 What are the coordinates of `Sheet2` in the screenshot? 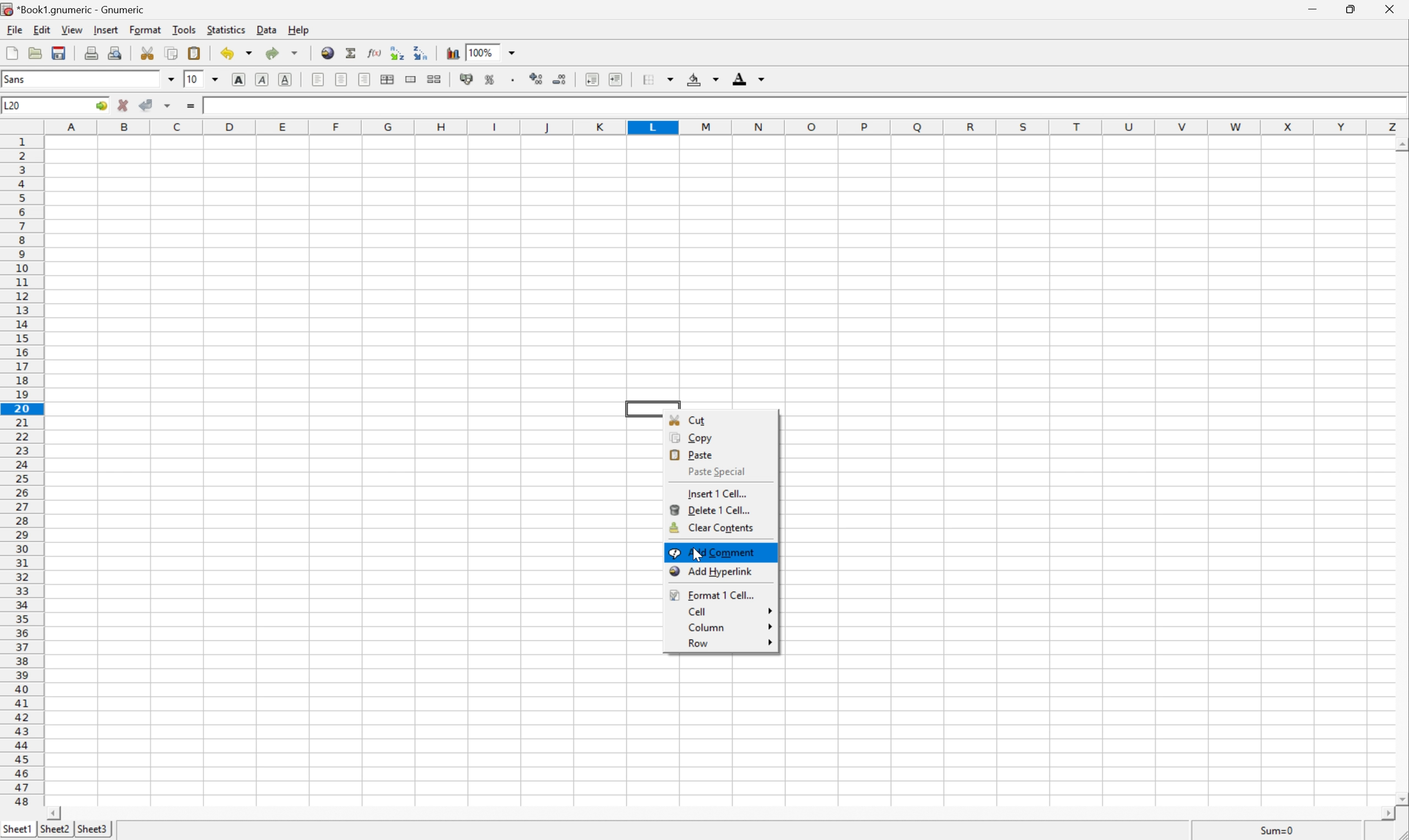 It's located at (90, 830).